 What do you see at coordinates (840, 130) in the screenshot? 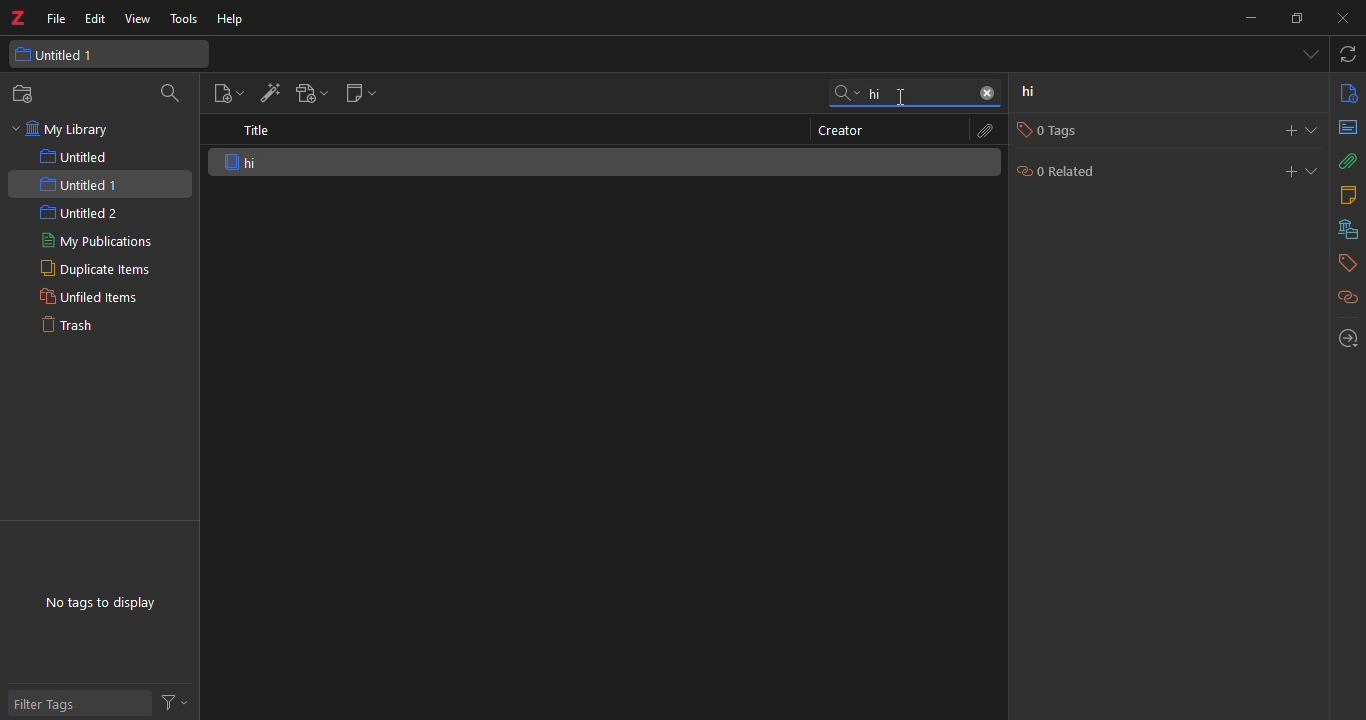
I see `creator` at bounding box center [840, 130].